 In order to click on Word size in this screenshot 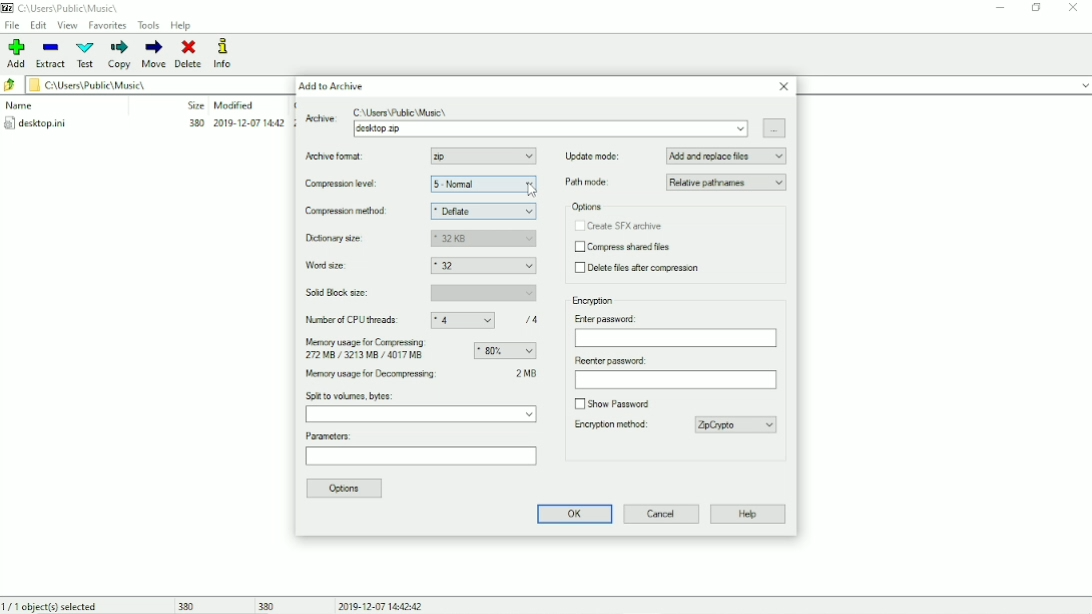, I will do `click(422, 266)`.